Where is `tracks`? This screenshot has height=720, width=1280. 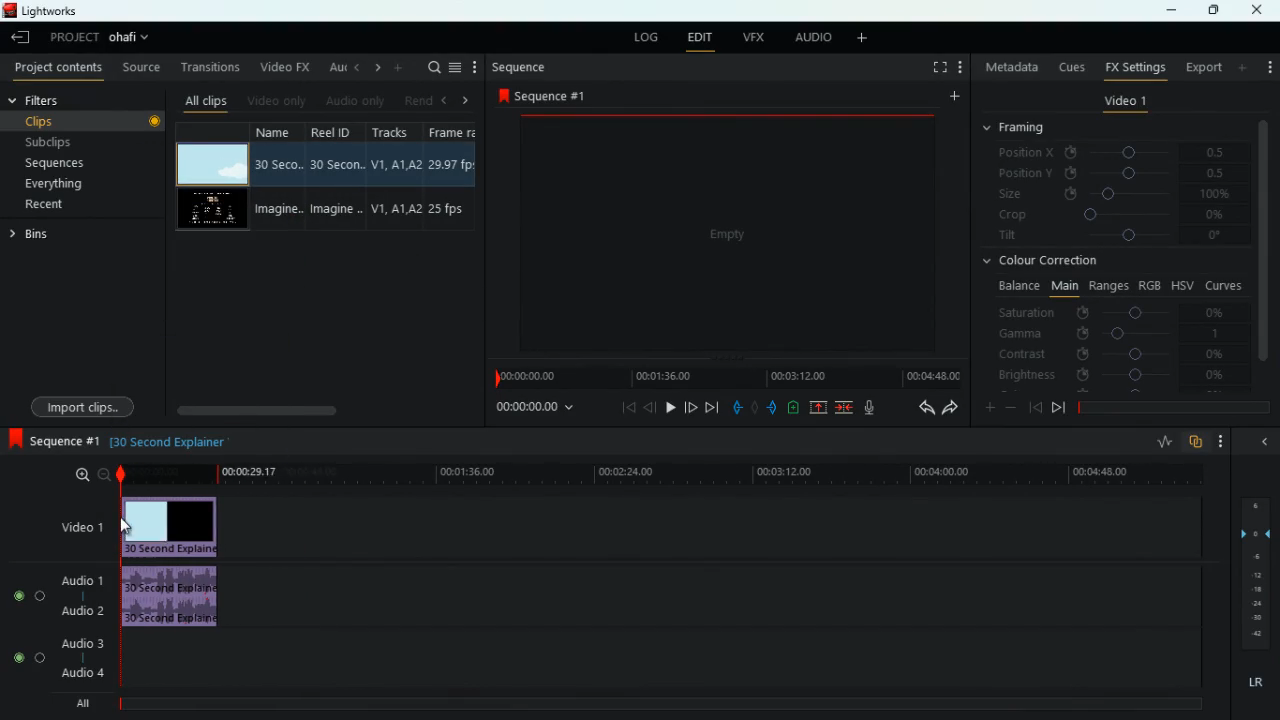
tracks is located at coordinates (392, 131).